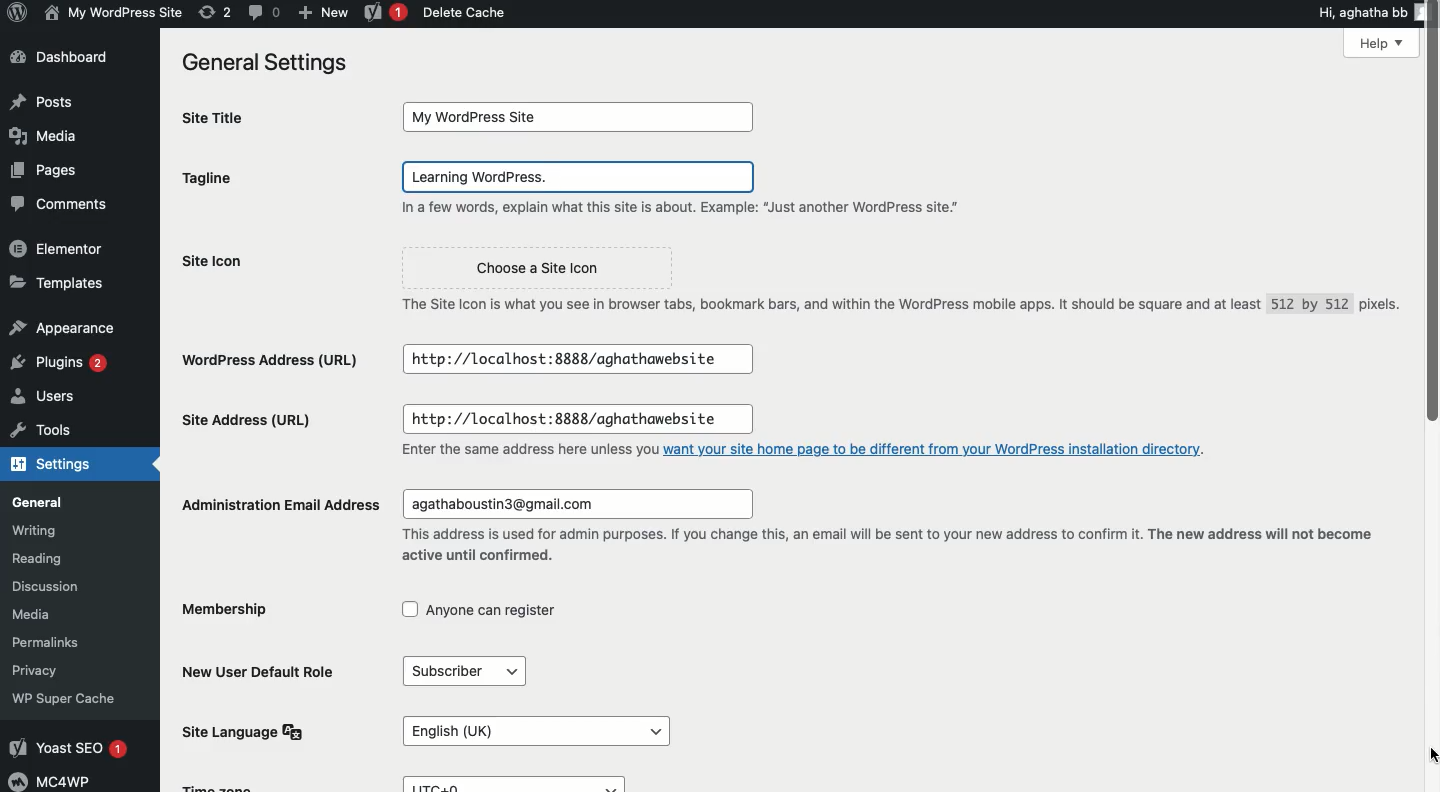 This screenshot has height=792, width=1440. I want to click on Site title, so click(223, 117).